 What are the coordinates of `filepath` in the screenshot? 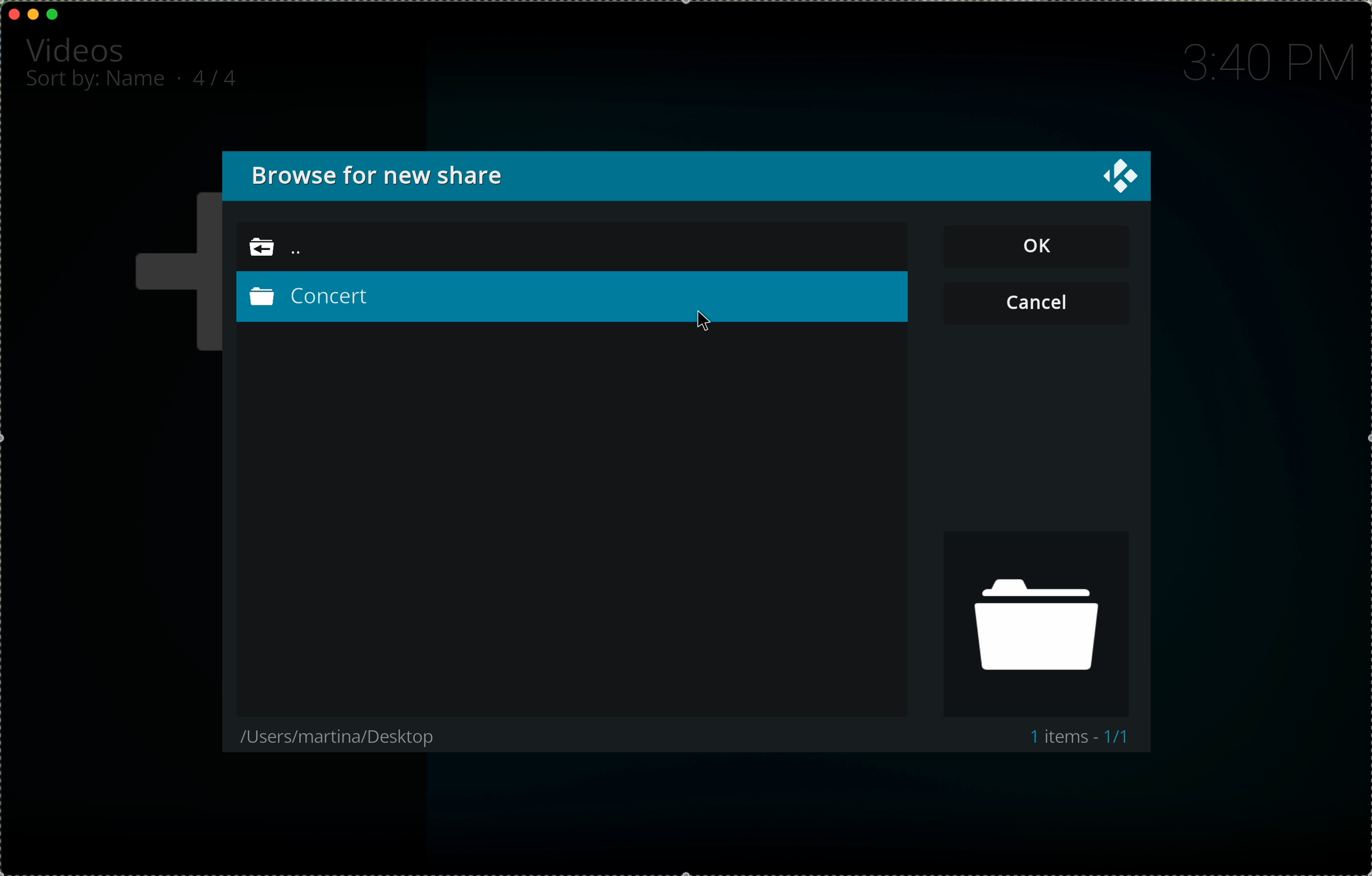 It's located at (331, 738).